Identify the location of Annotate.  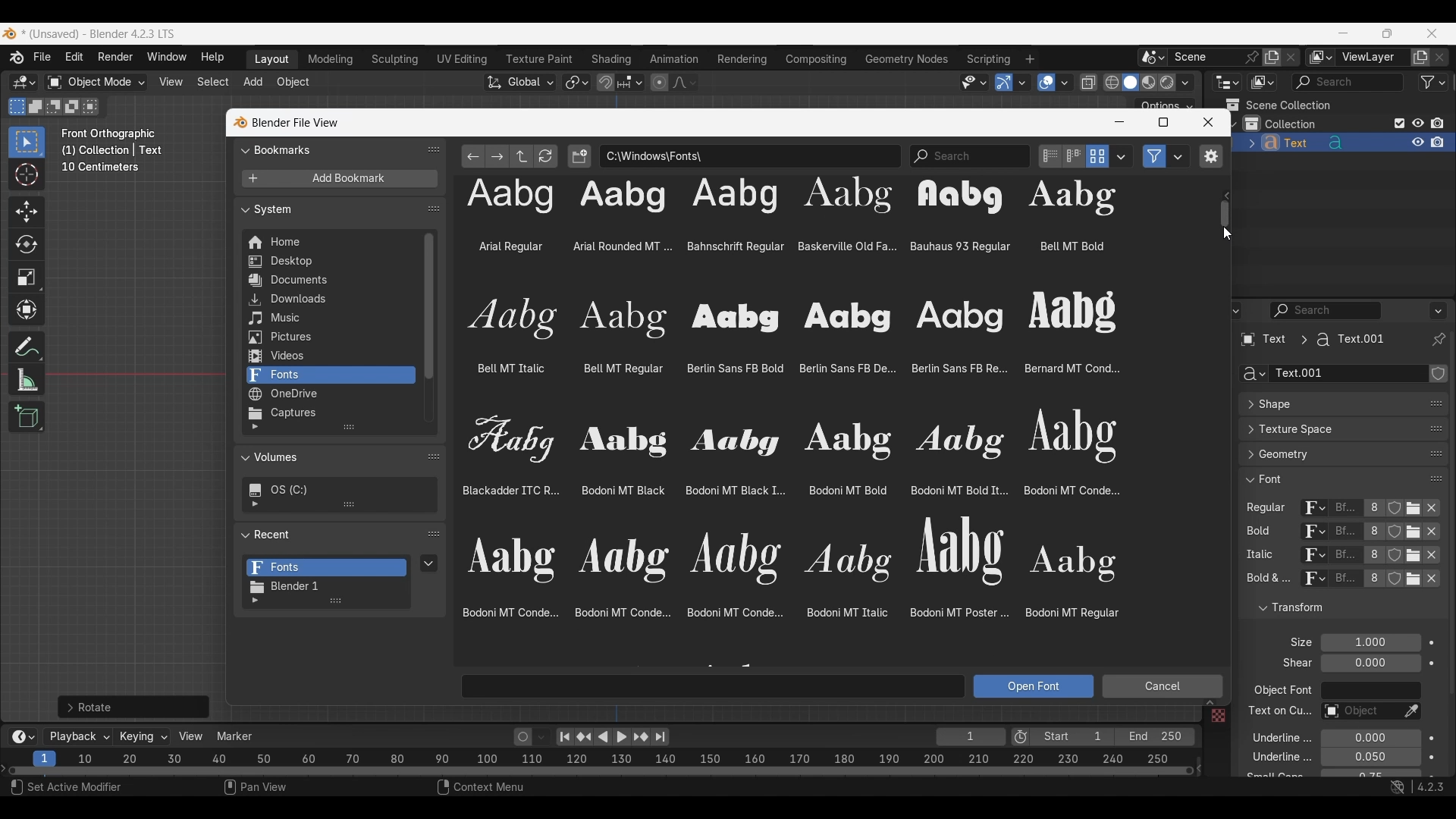
(27, 347).